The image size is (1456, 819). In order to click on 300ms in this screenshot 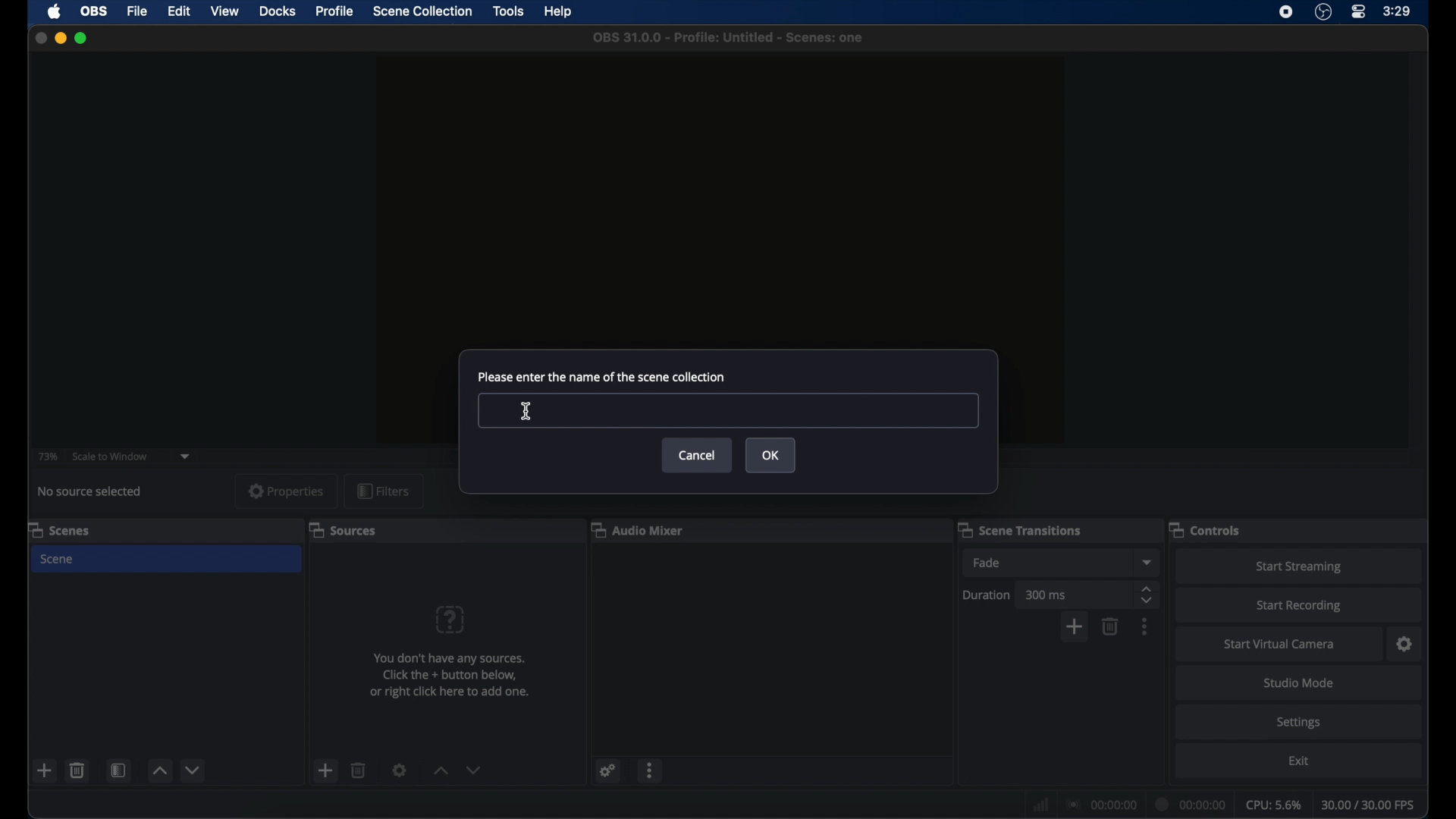, I will do `click(1046, 595)`.